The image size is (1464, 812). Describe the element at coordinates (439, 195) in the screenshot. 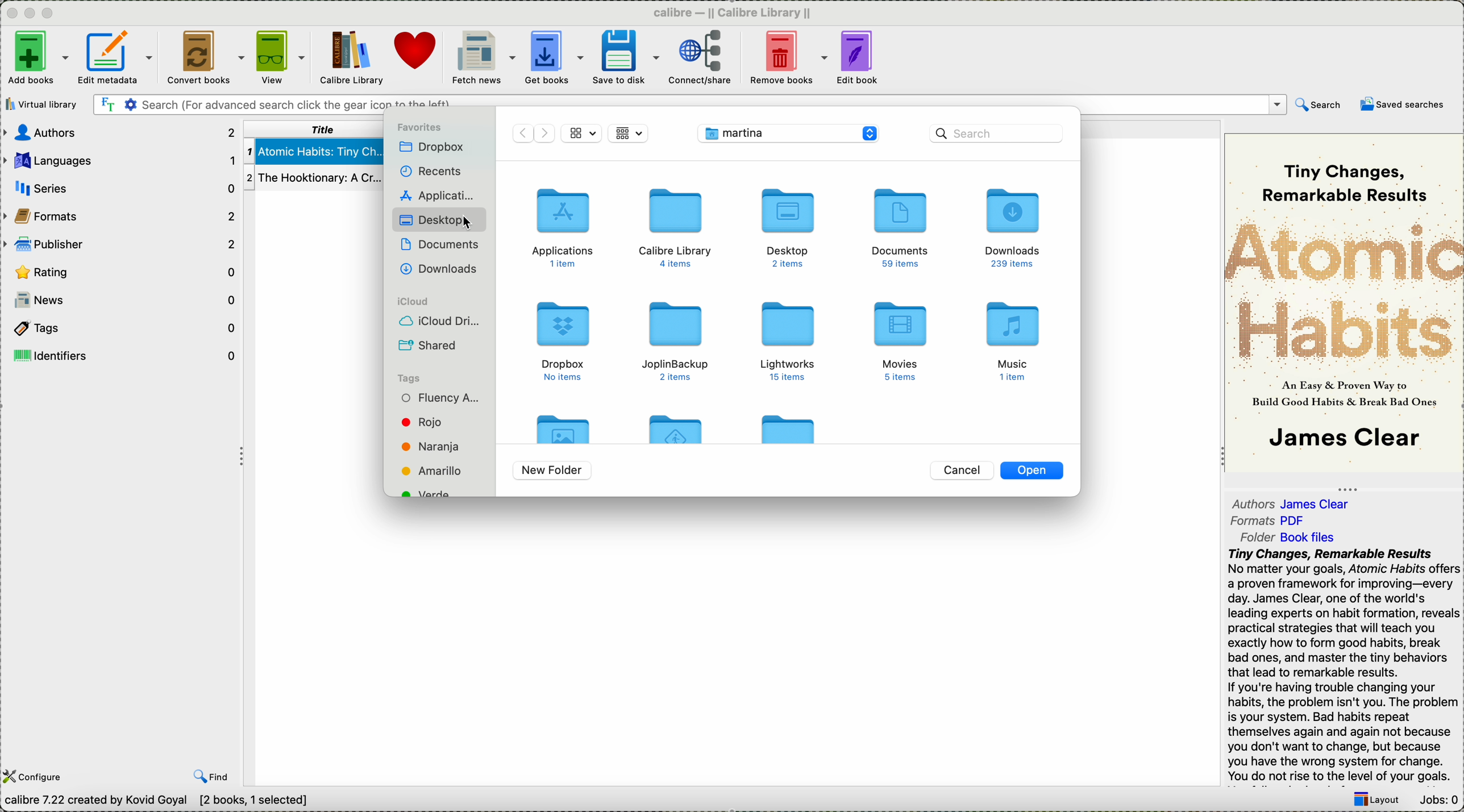

I see `applications` at that location.